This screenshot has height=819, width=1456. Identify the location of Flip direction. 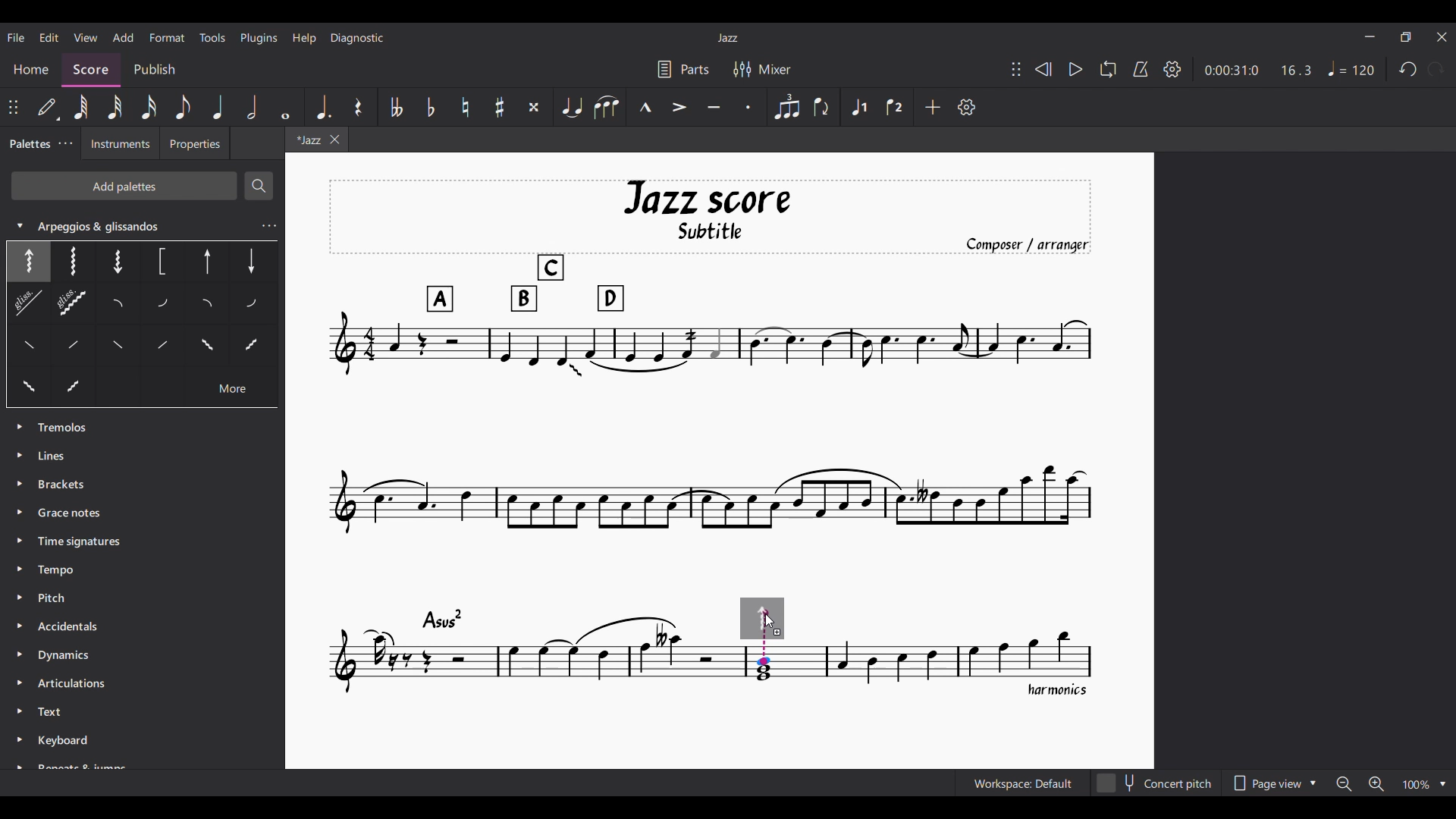
(822, 107).